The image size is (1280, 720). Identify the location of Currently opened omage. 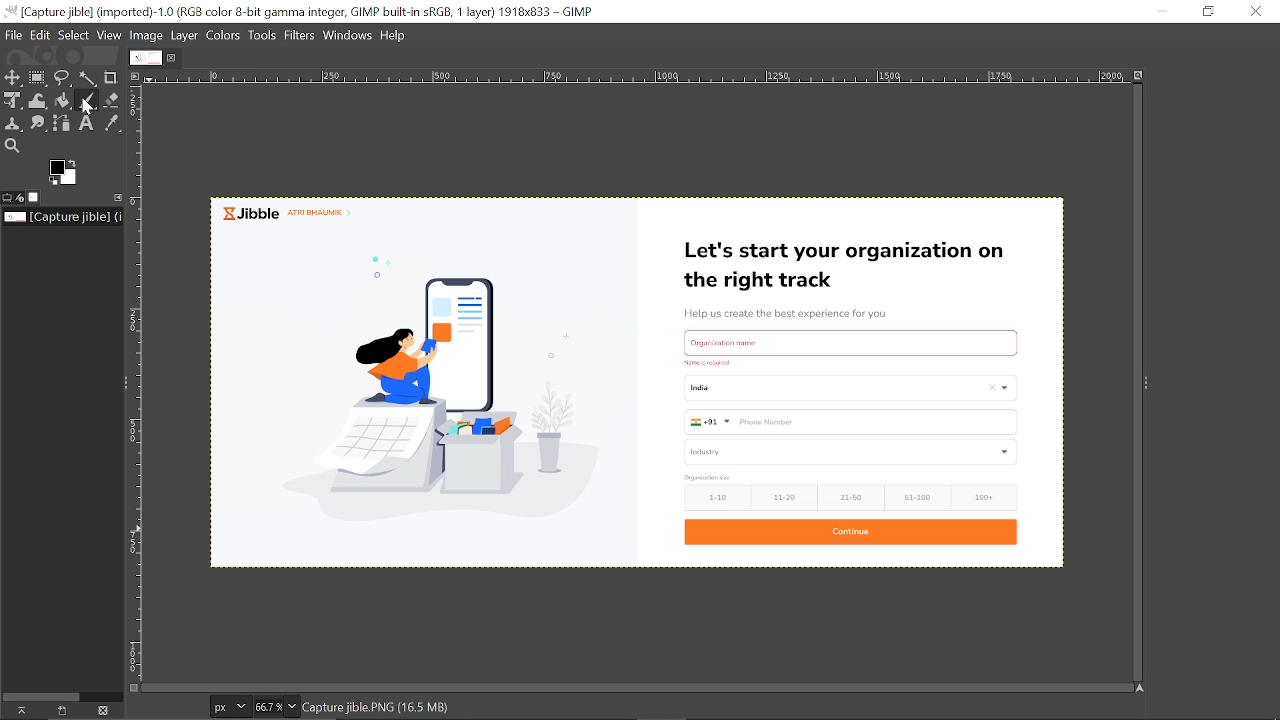
(638, 381).